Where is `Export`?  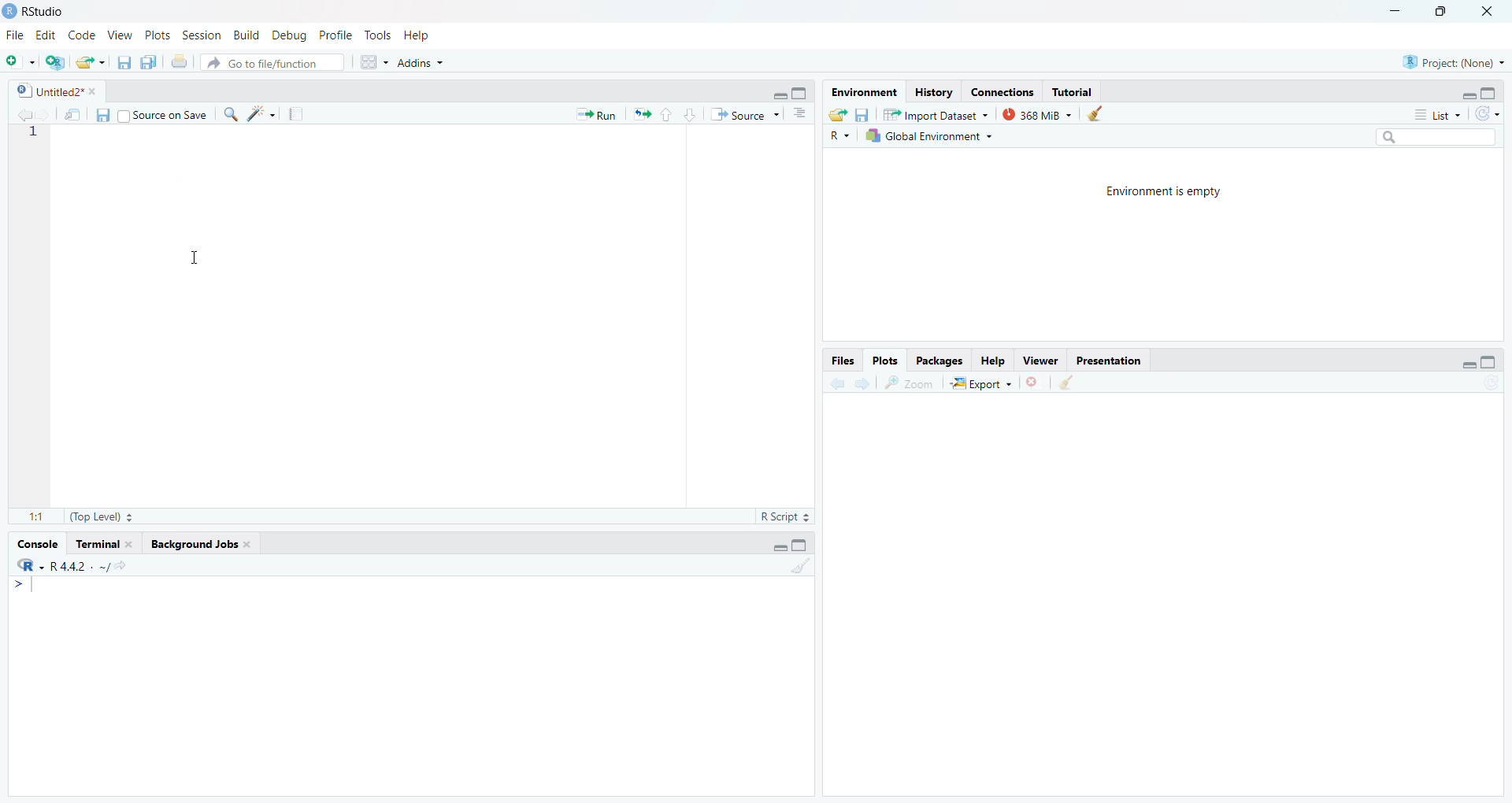
Export is located at coordinates (984, 385).